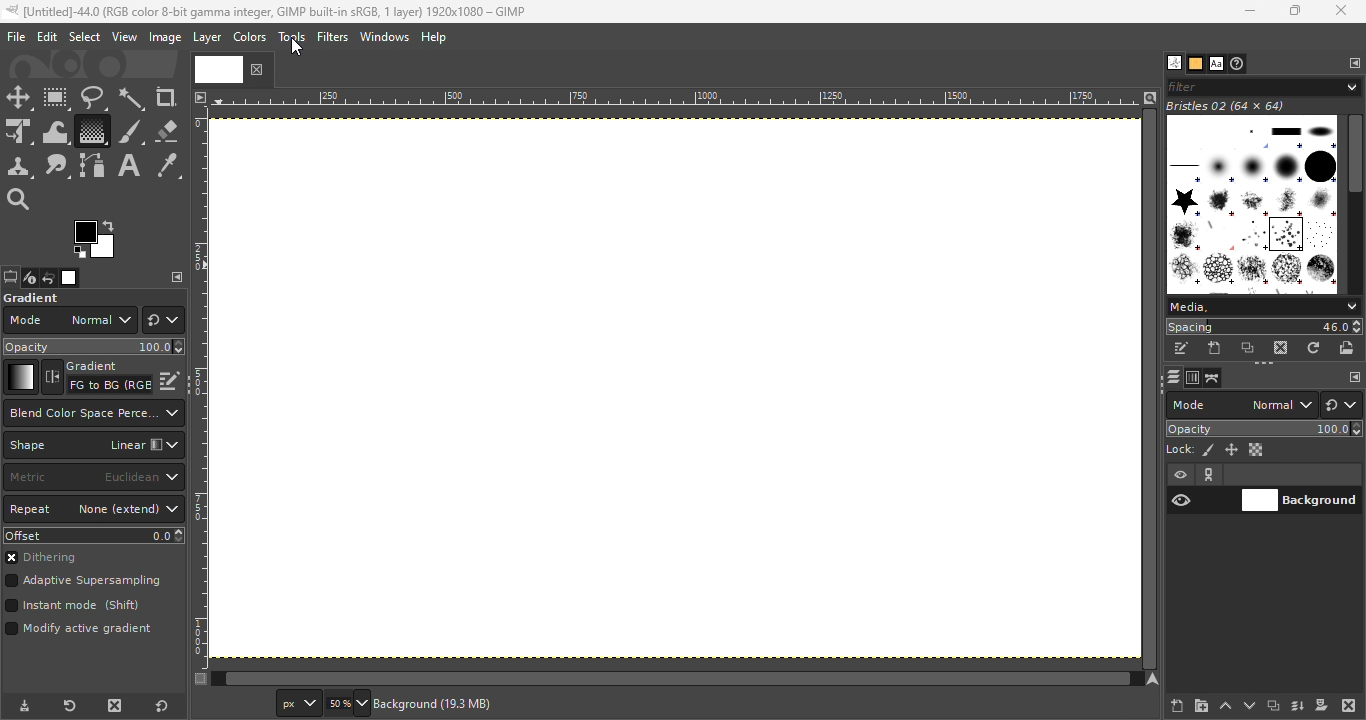 Image resolution: width=1366 pixels, height=720 pixels. What do you see at coordinates (1355, 201) in the screenshot?
I see `Scroll bar` at bounding box center [1355, 201].